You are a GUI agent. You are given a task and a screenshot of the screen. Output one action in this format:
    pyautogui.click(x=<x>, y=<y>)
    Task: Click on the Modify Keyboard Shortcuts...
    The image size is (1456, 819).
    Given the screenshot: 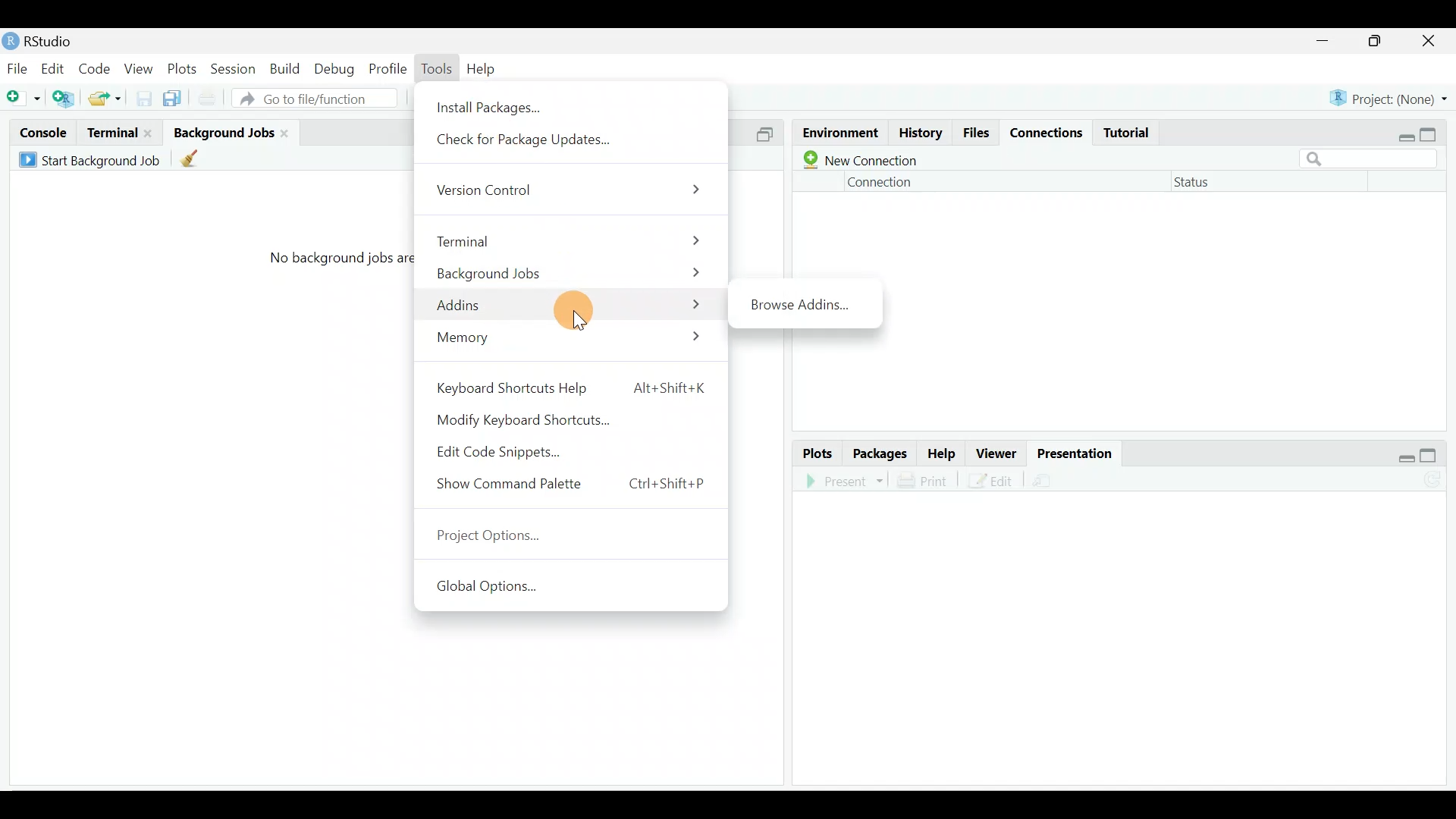 What is the action you would take?
    pyautogui.click(x=534, y=418)
    